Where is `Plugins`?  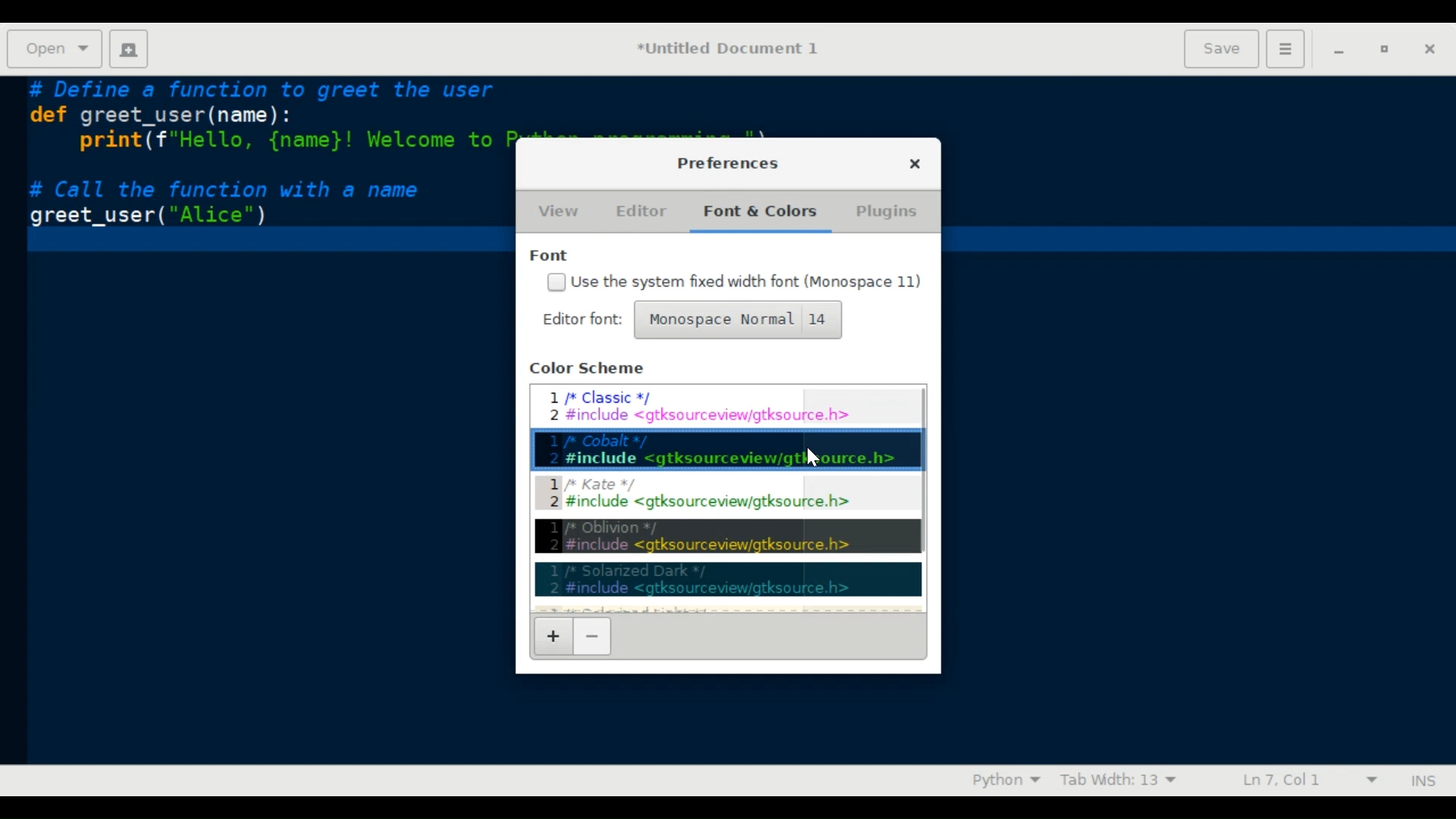
Plugins is located at coordinates (884, 212).